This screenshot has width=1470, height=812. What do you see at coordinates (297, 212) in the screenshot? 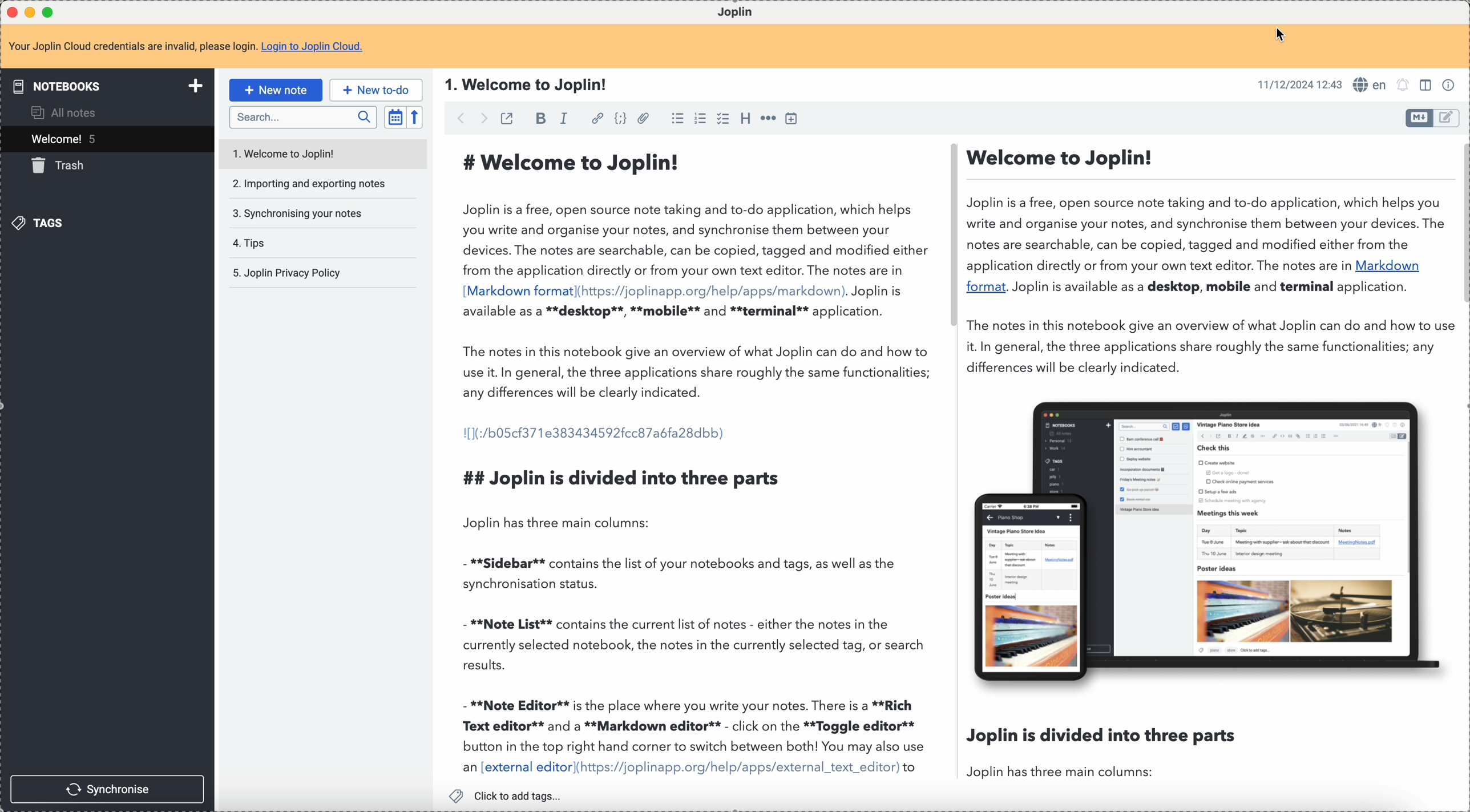
I see `synchronising your notes` at bounding box center [297, 212].